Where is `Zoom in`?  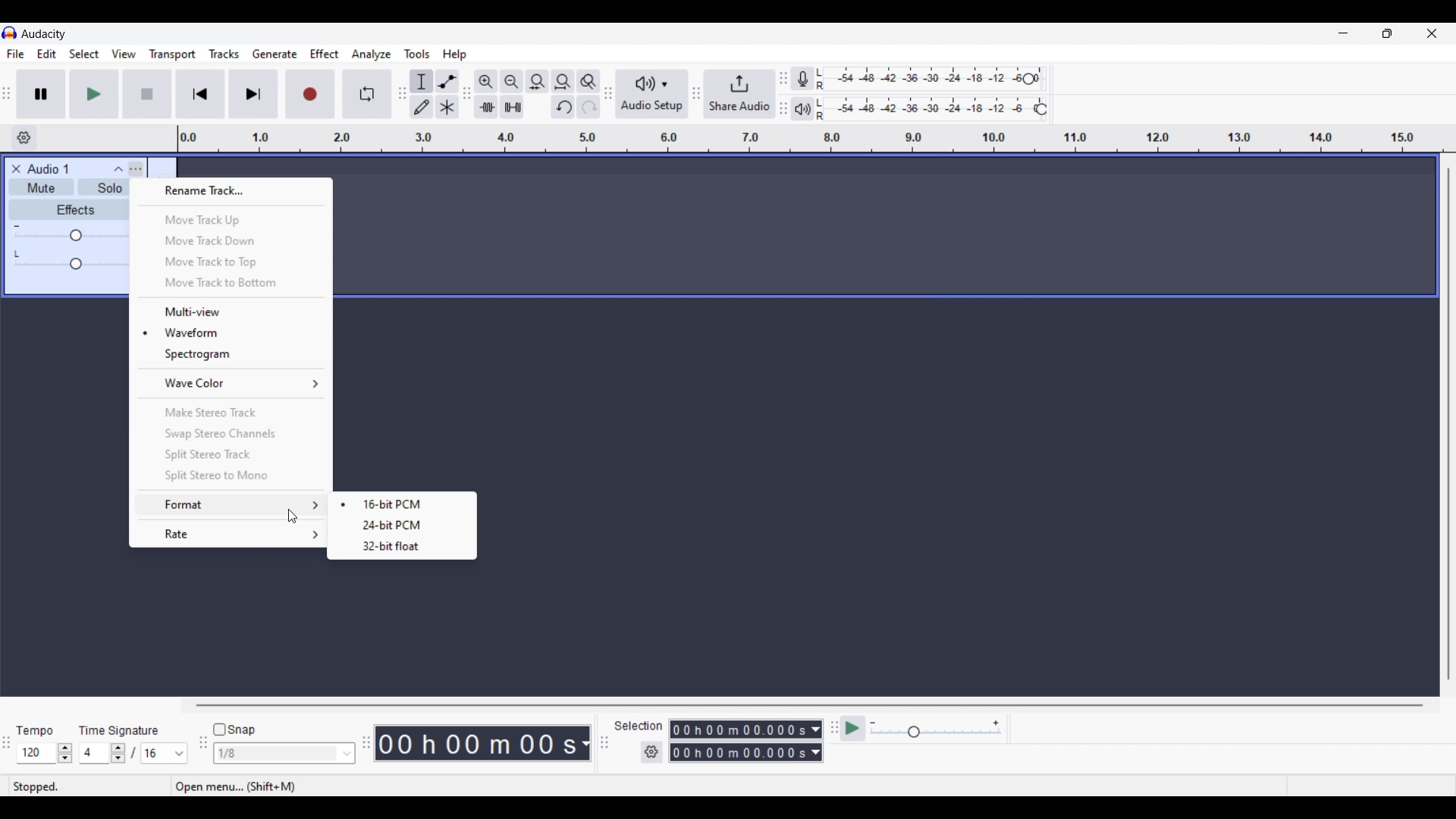 Zoom in is located at coordinates (485, 81).